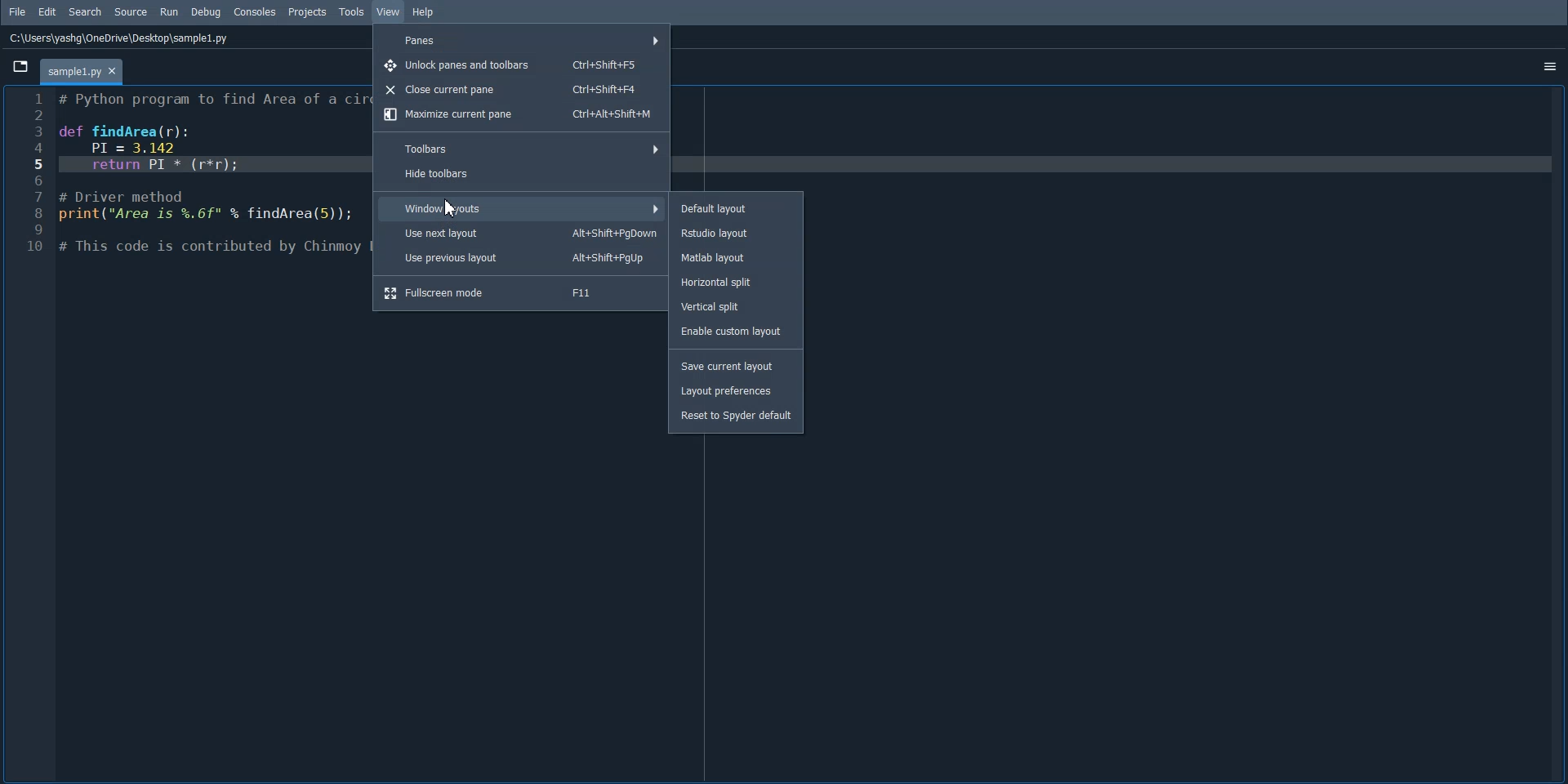 Image resolution: width=1568 pixels, height=784 pixels. Describe the element at coordinates (169, 11) in the screenshot. I see `Run` at that location.